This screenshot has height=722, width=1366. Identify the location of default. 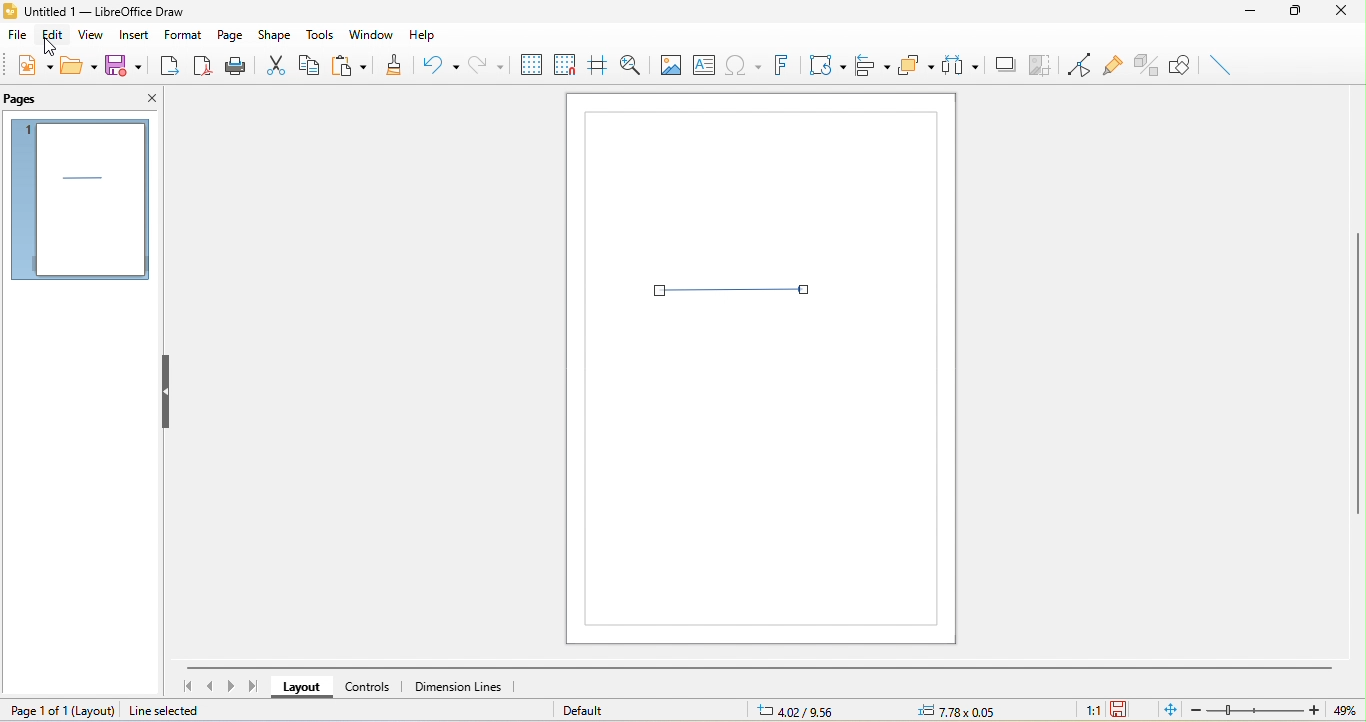
(590, 710).